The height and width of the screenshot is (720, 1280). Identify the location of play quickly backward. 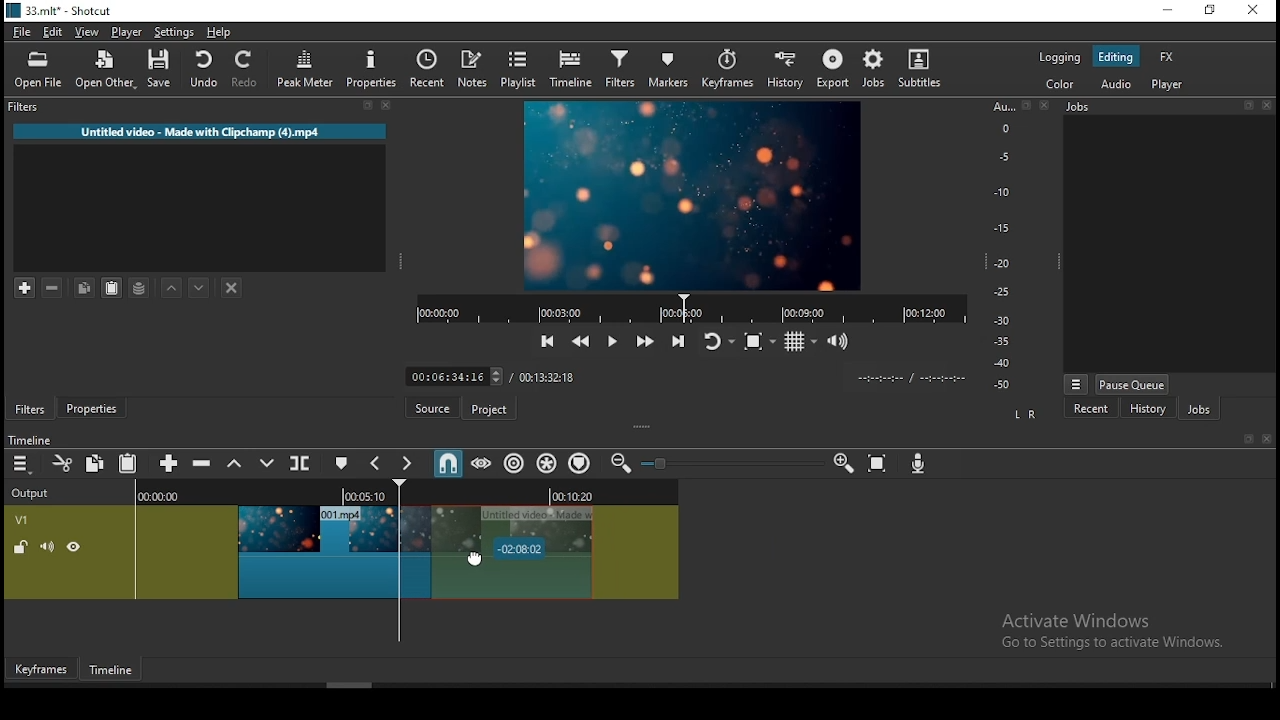
(579, 339).